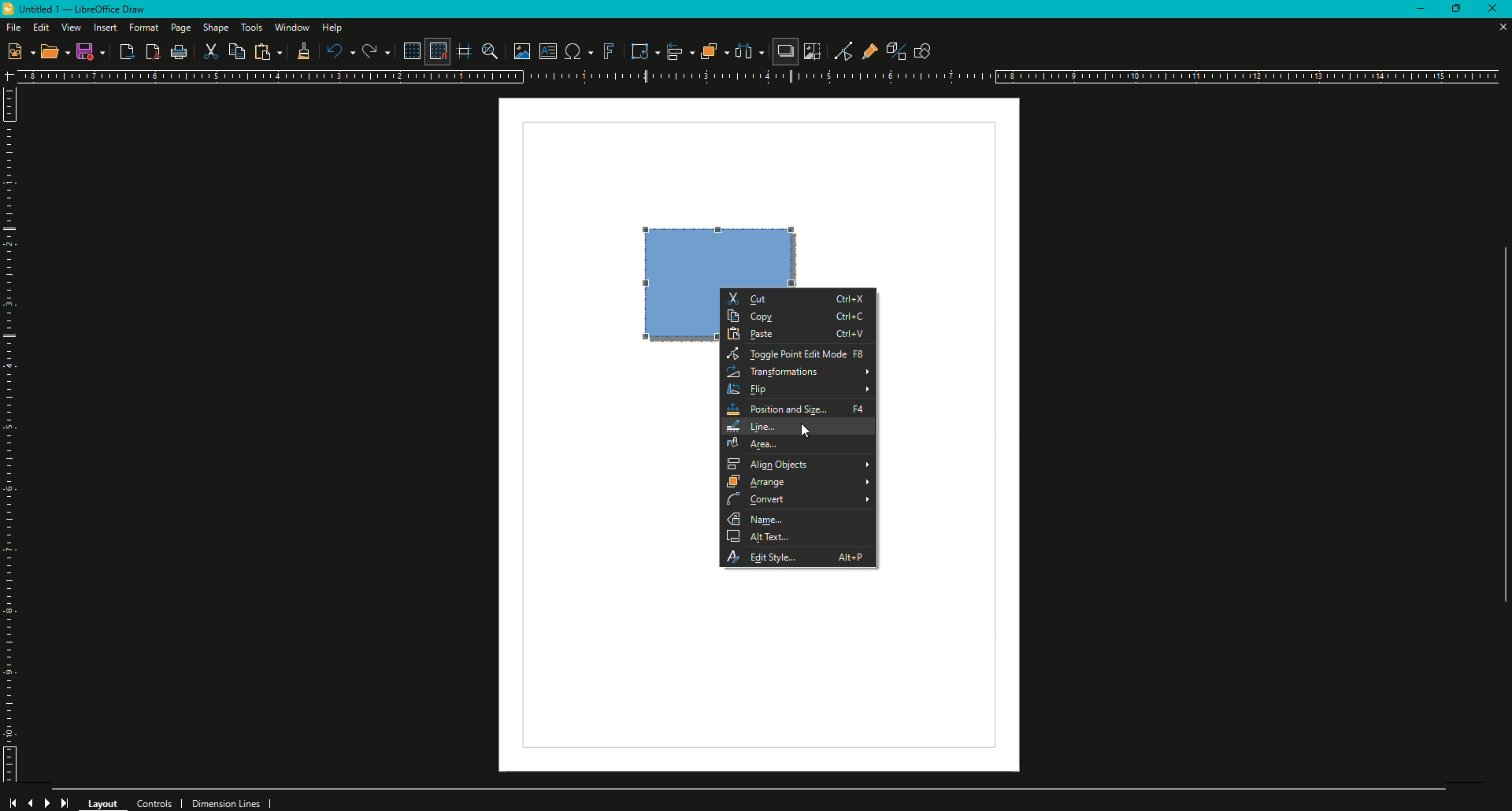 This screenshot has width=1512, height=811. What do you see at coordinates (799, 483) in the screenshot?
I see `Arrange` at bounding box center [799, 483].